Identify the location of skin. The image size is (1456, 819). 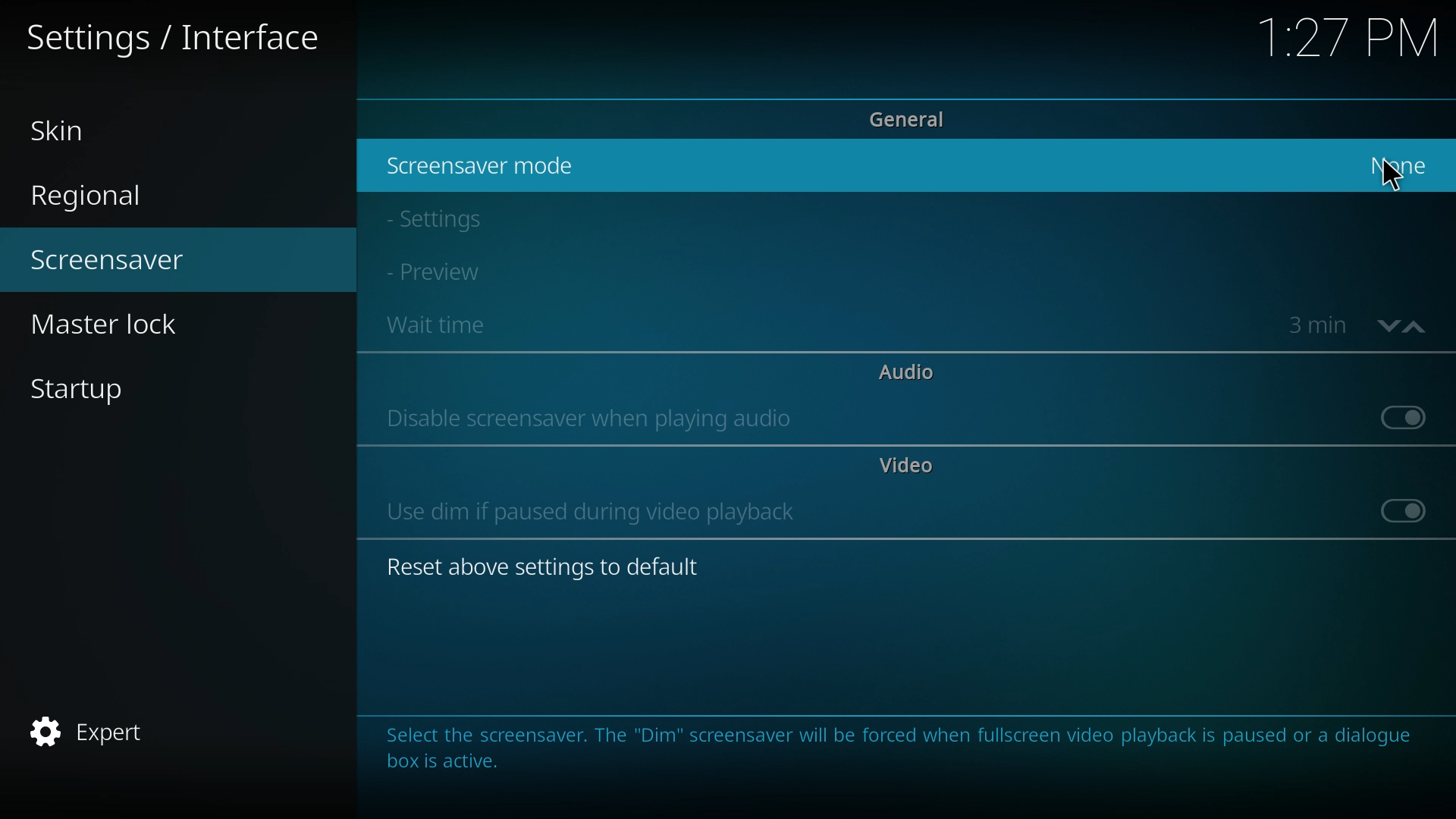
(116, 128).